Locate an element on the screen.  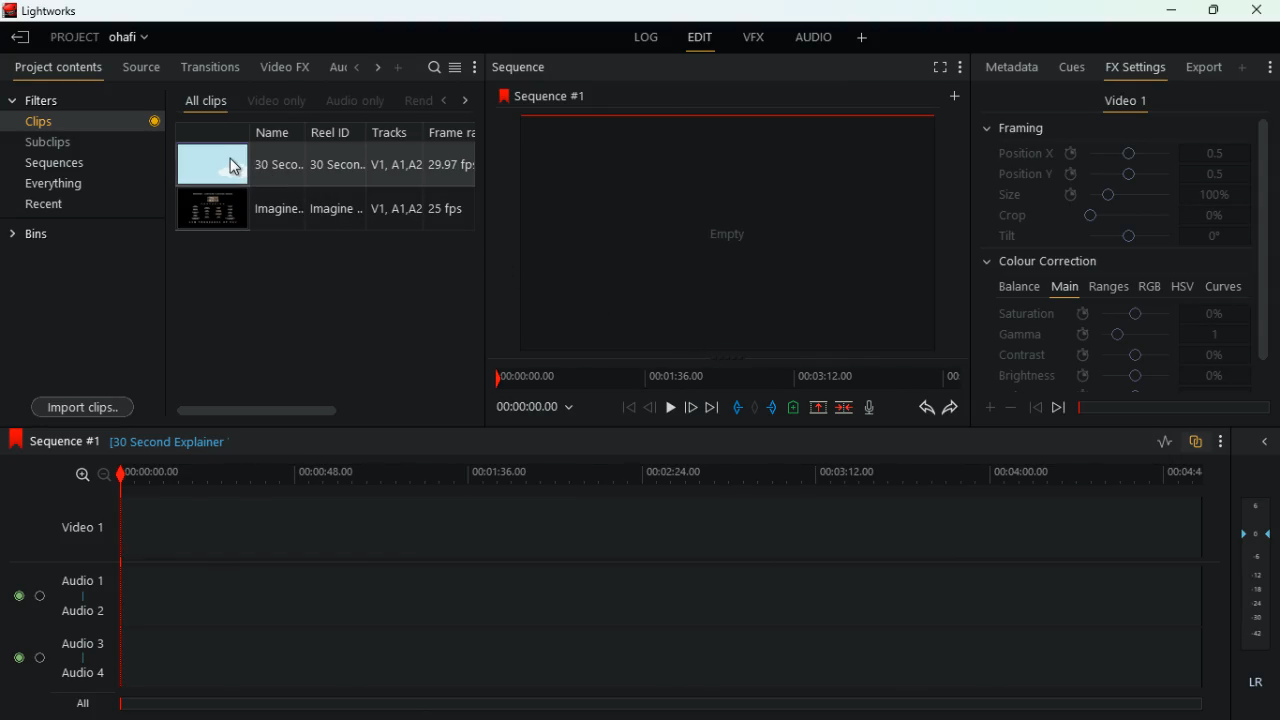
balance is located at coordinates (1016, 287).